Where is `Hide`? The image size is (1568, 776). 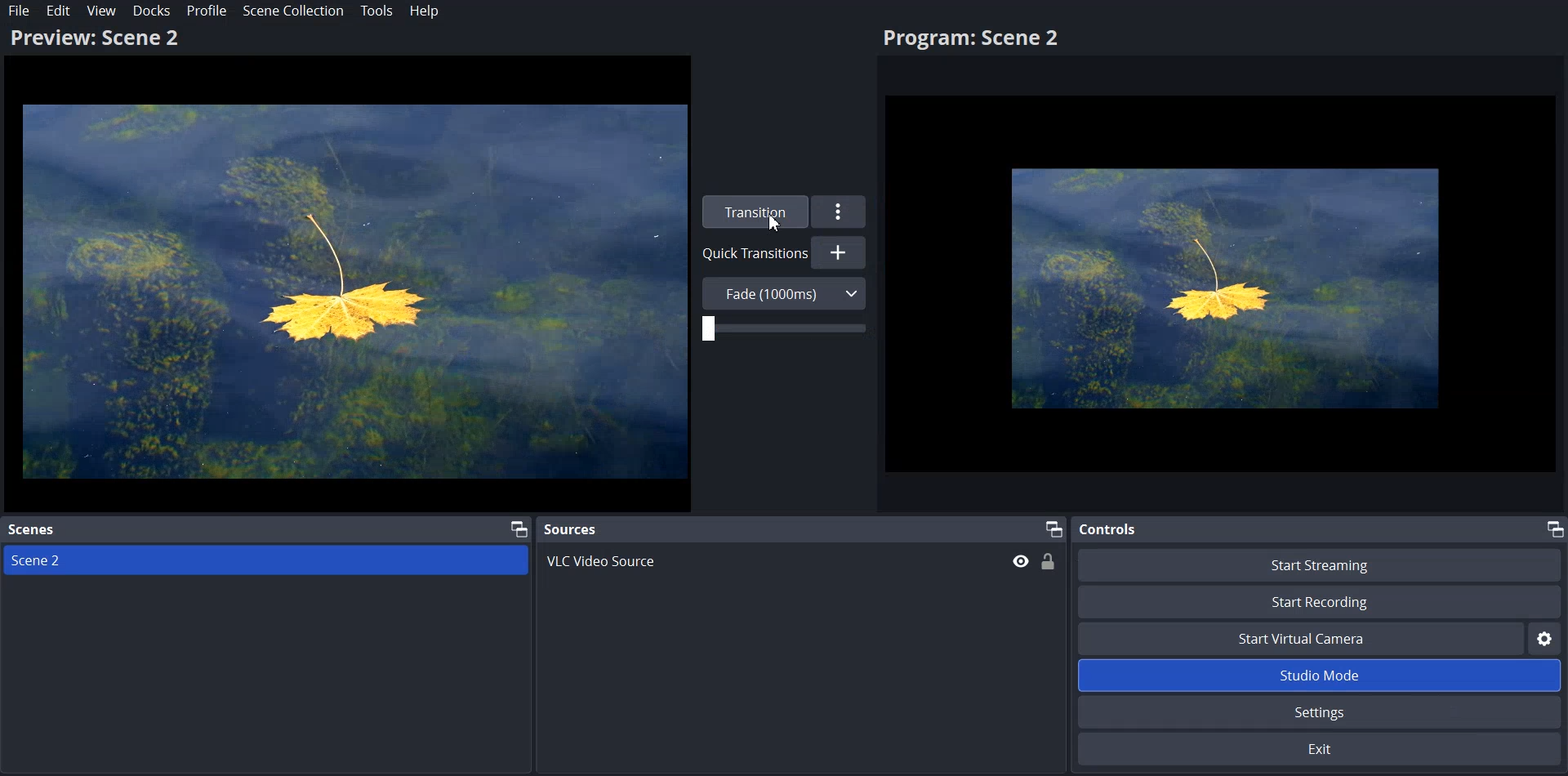 Hide is located at coordinates (1022, 560).